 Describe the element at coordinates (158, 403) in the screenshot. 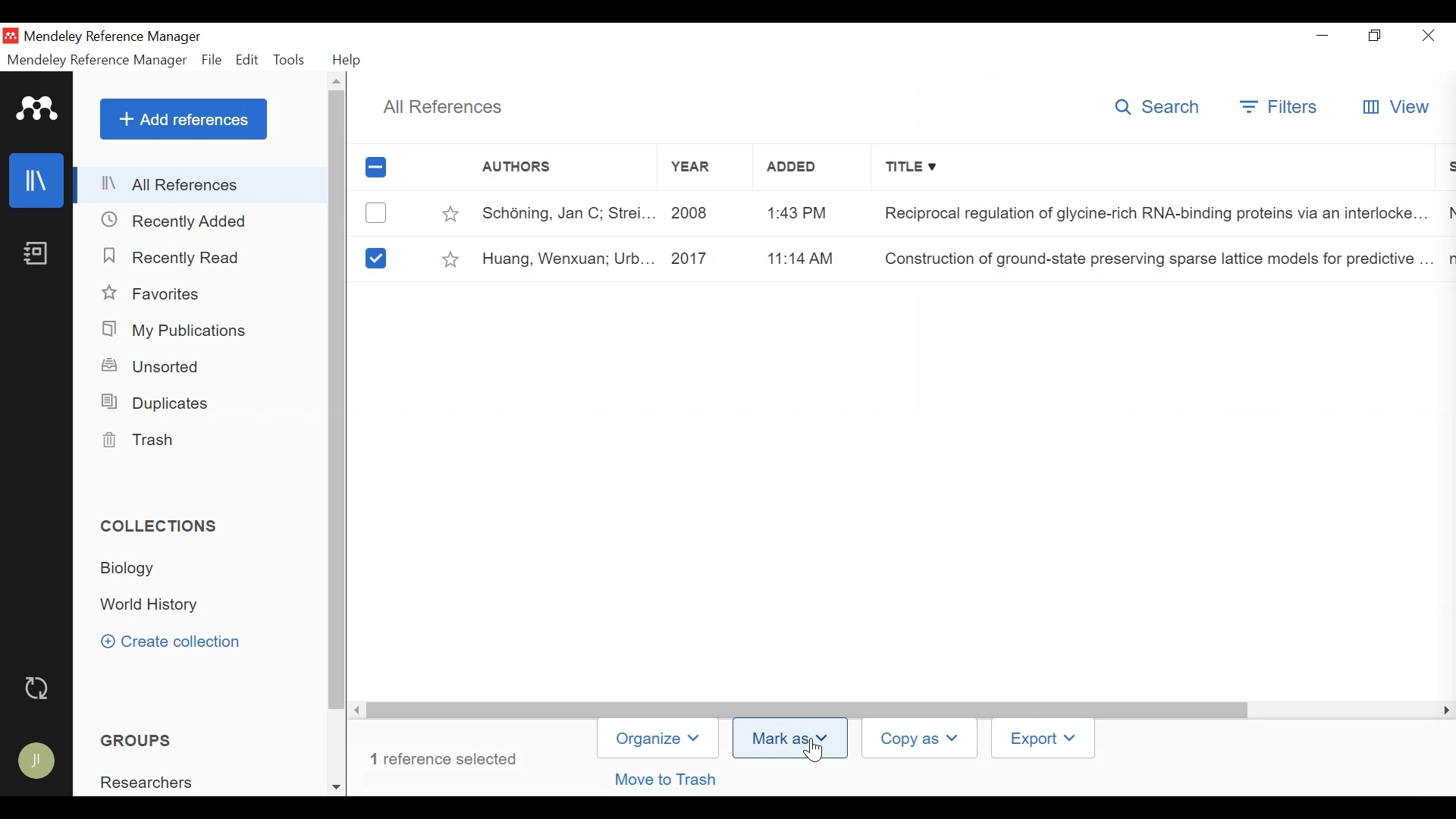

I see `Duplicates` at that location.